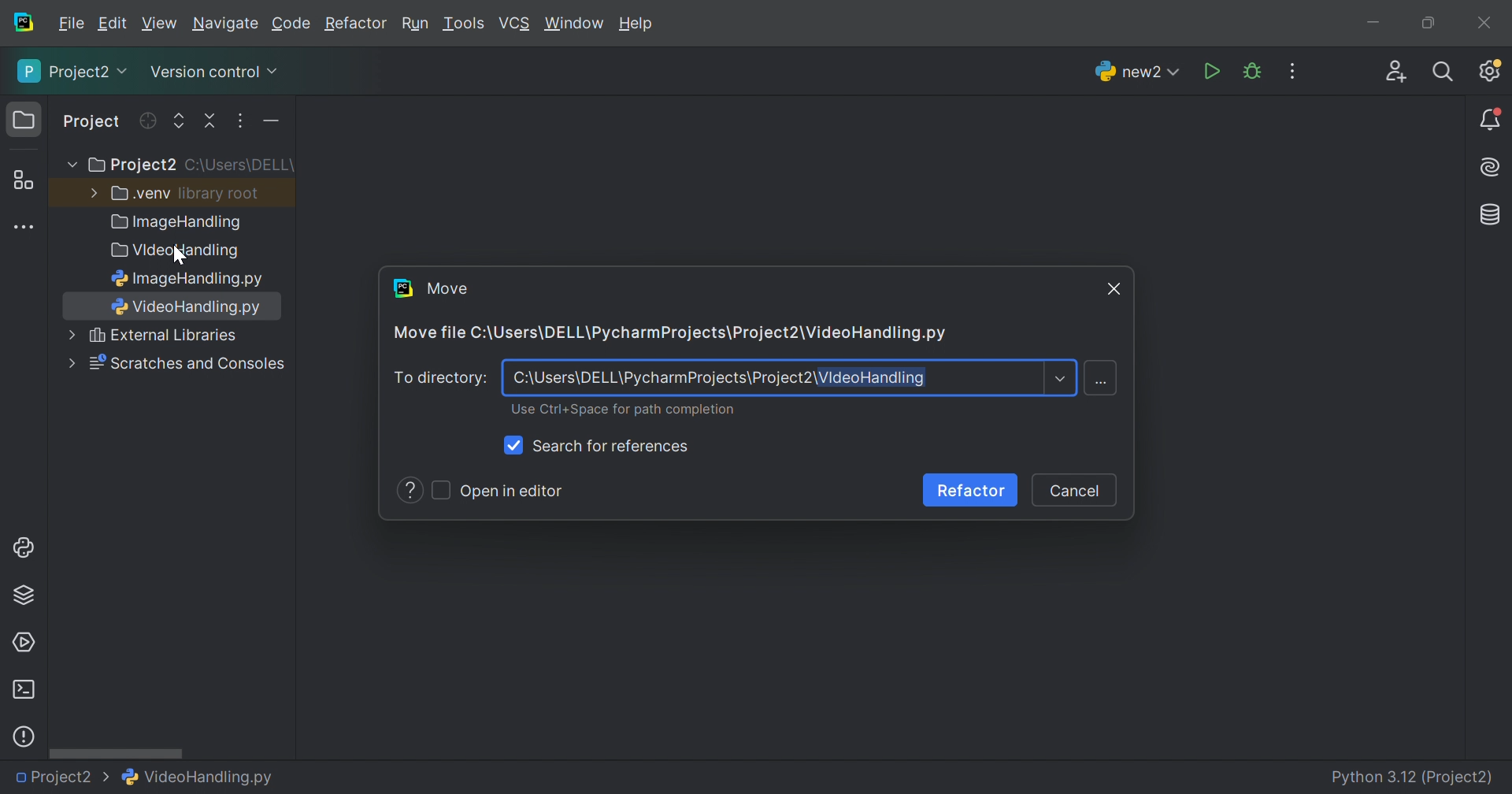 The image size is (1512, 794). Describe the element at coordinates (227, 26) in the screenshot. I see `Navigate` at that location.